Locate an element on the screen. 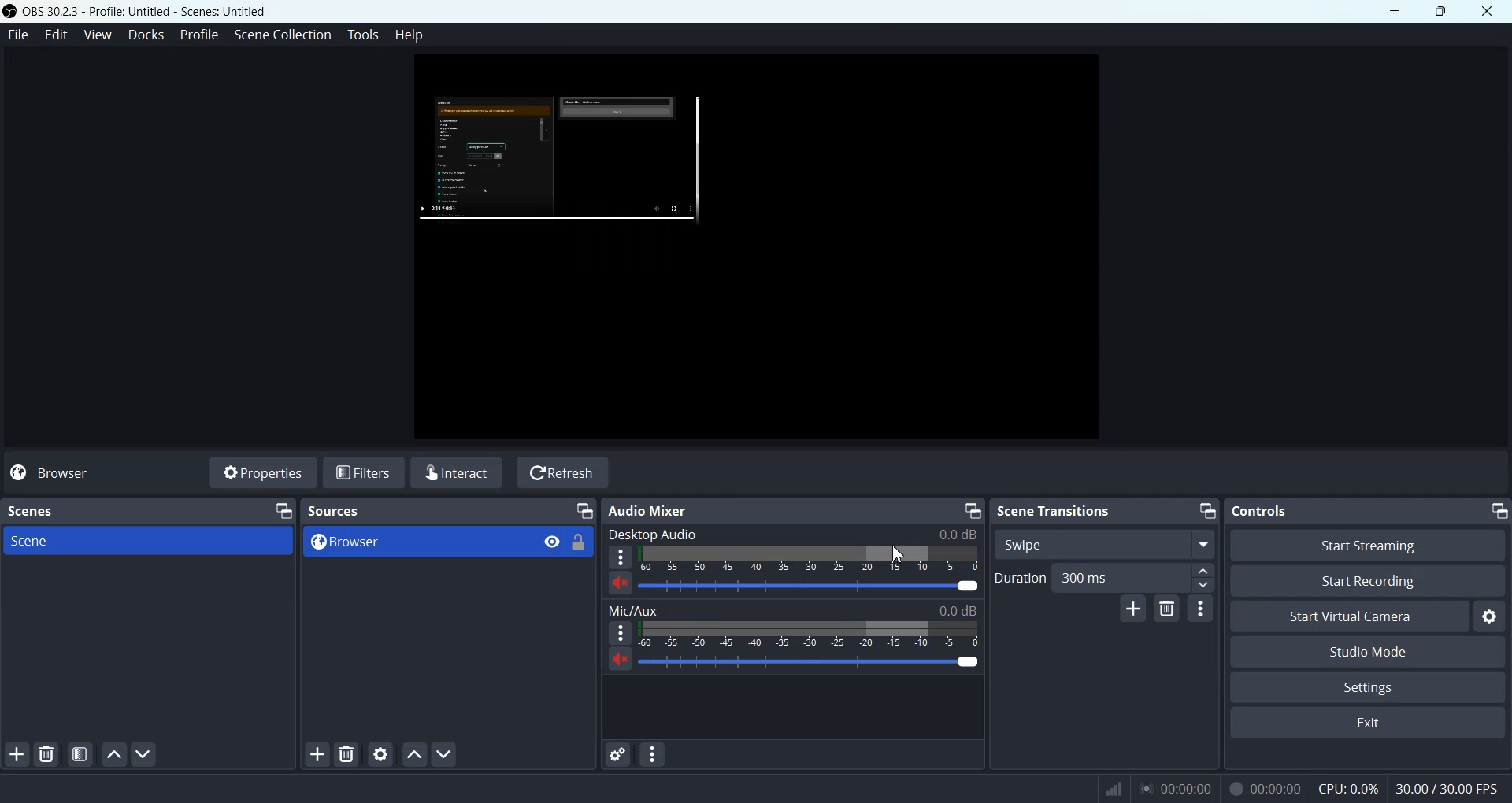 The width and height of the screenshot is (1512, 803). 00:00:00 is located at coordinates (1176, 787).